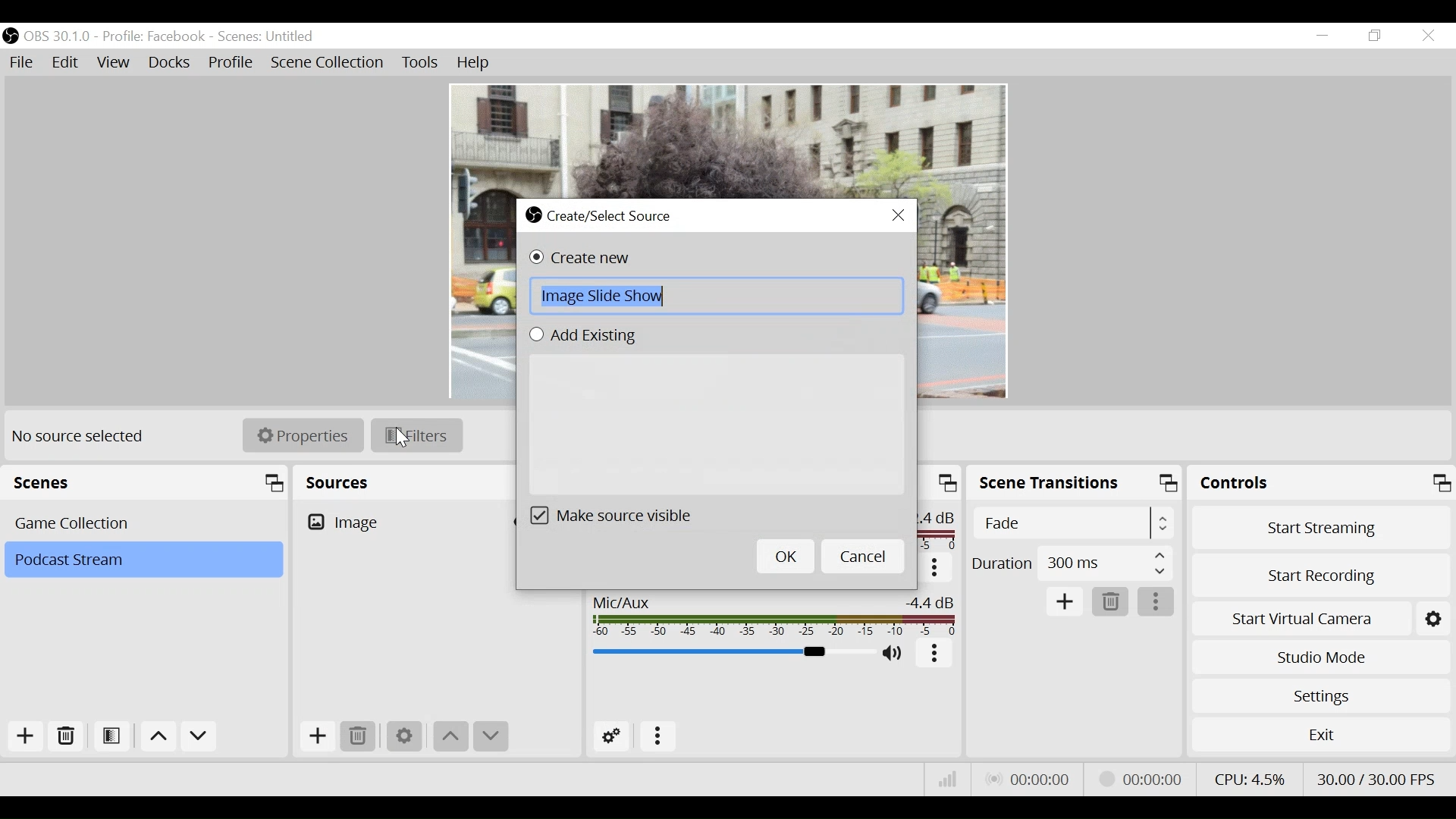  Describe the element at coordinates (420, 63) in the screenshot. I see `Tools` at that location.